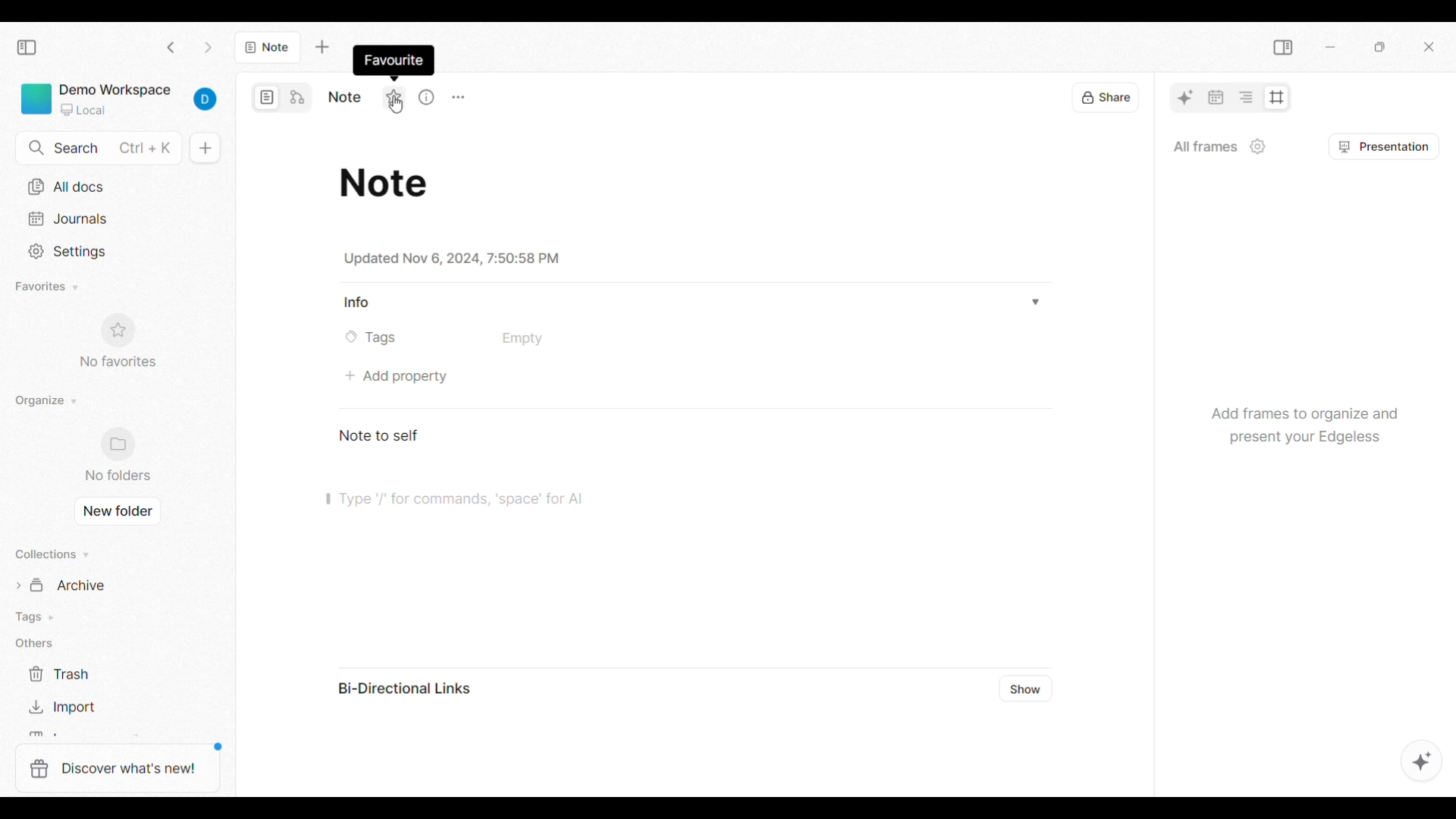 This screenshot has width=1456, height=819. I want to click on No Favorites, so click(118, 339).